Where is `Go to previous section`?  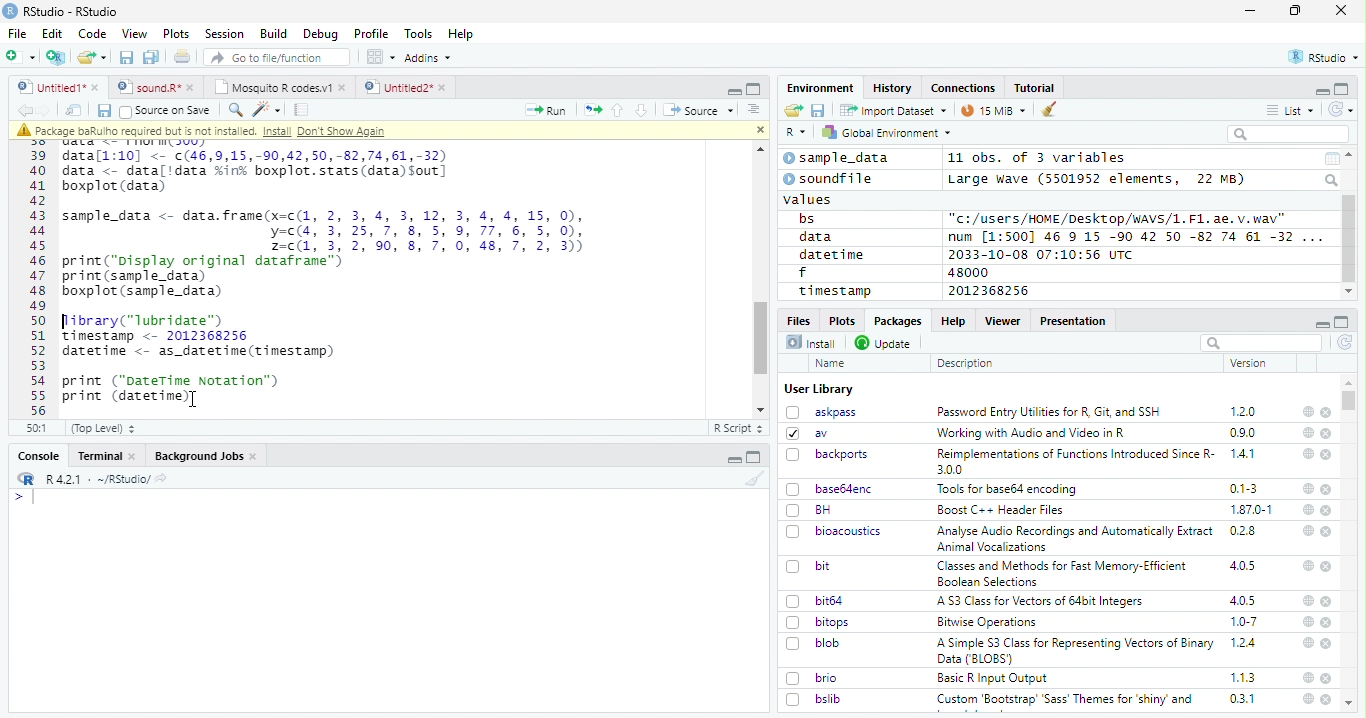
Go to previous section is located at coordinates (619, 110).